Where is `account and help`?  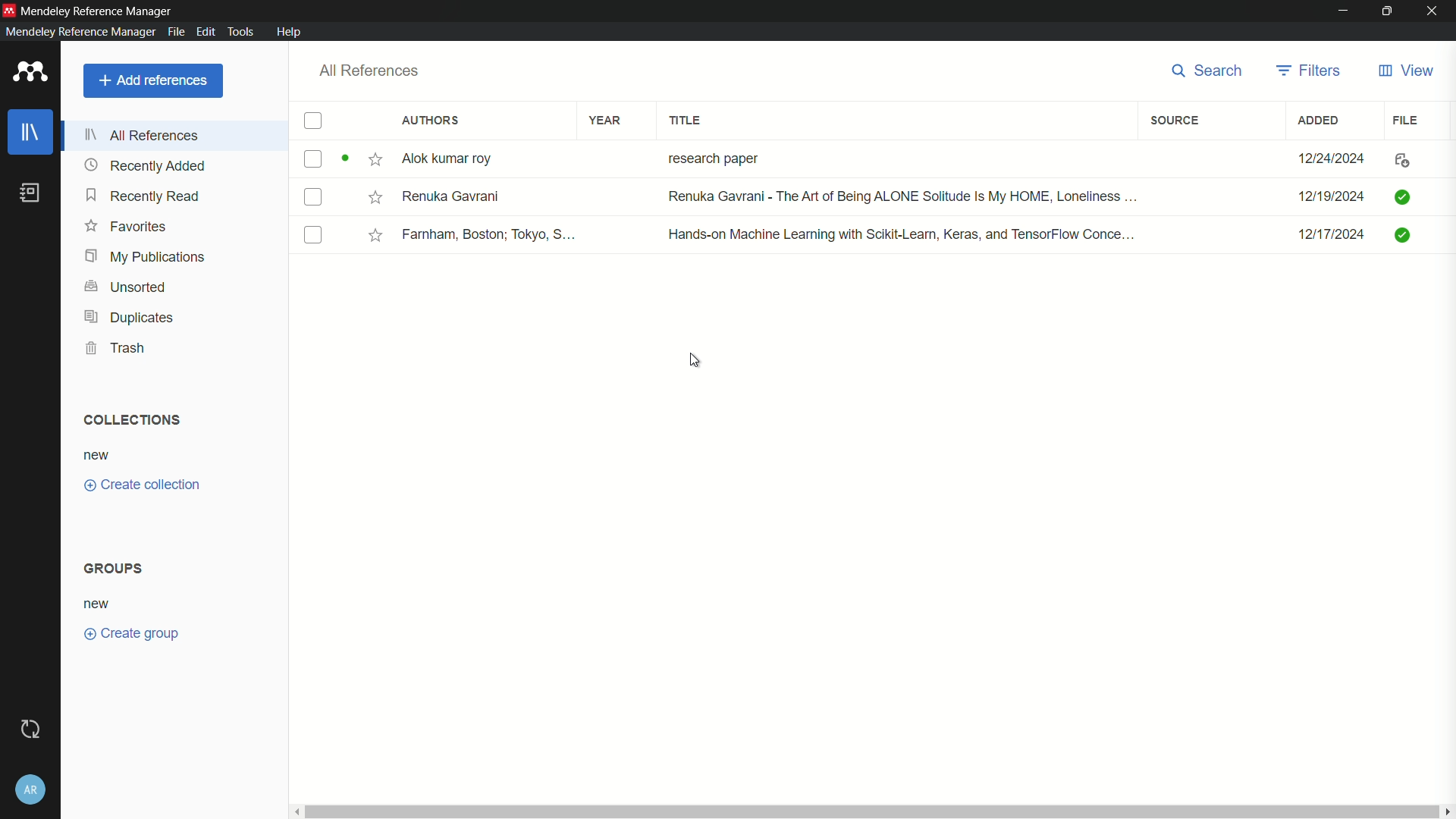
account and help is located at coordinates (30, 792).